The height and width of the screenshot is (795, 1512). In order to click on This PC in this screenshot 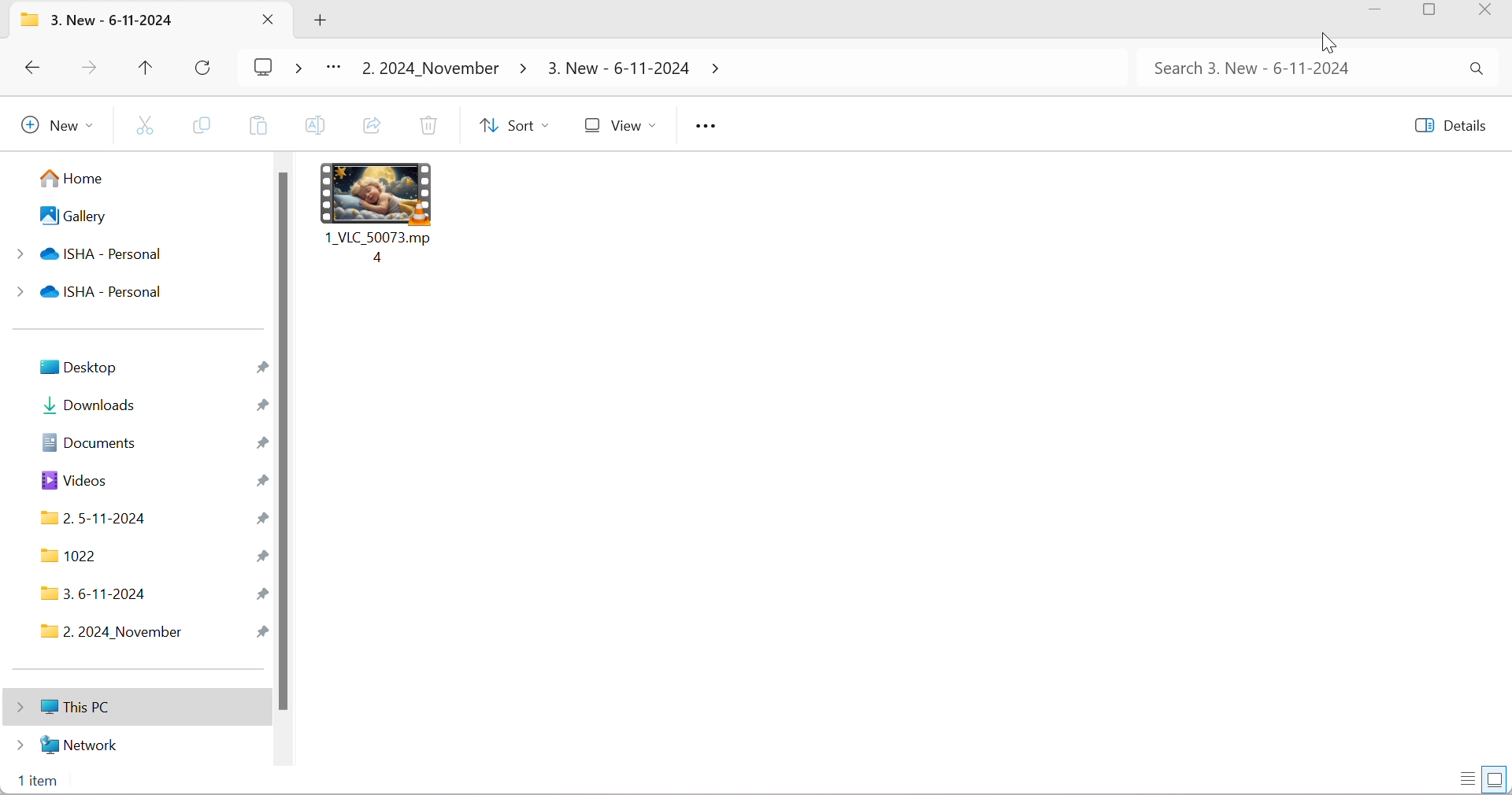, I will do `click(57, 706)`.